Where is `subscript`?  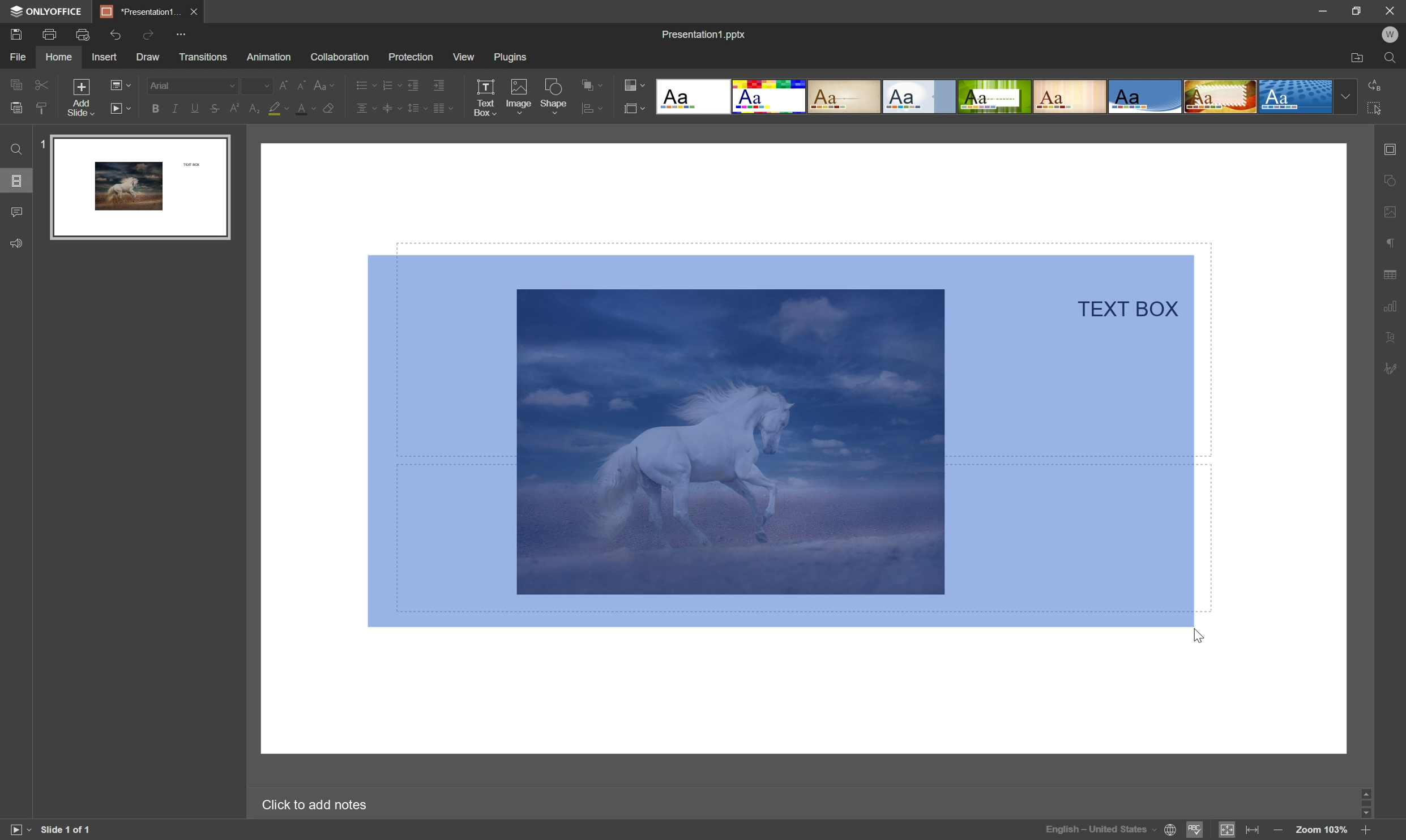 subscript is located at coordinates (254, 108).